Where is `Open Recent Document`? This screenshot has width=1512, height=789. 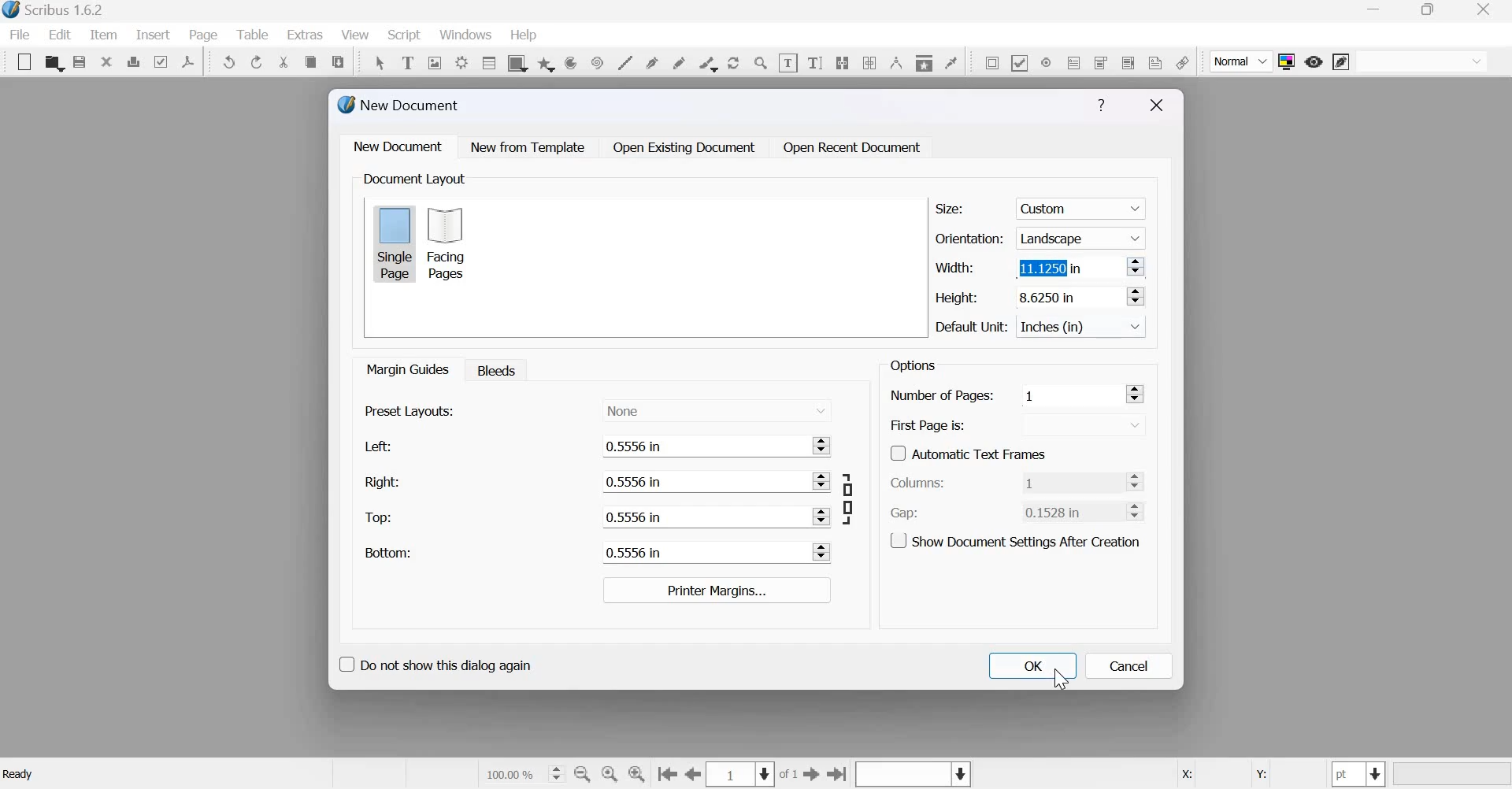 Open Recent Document is located at coordinates (853, 148).